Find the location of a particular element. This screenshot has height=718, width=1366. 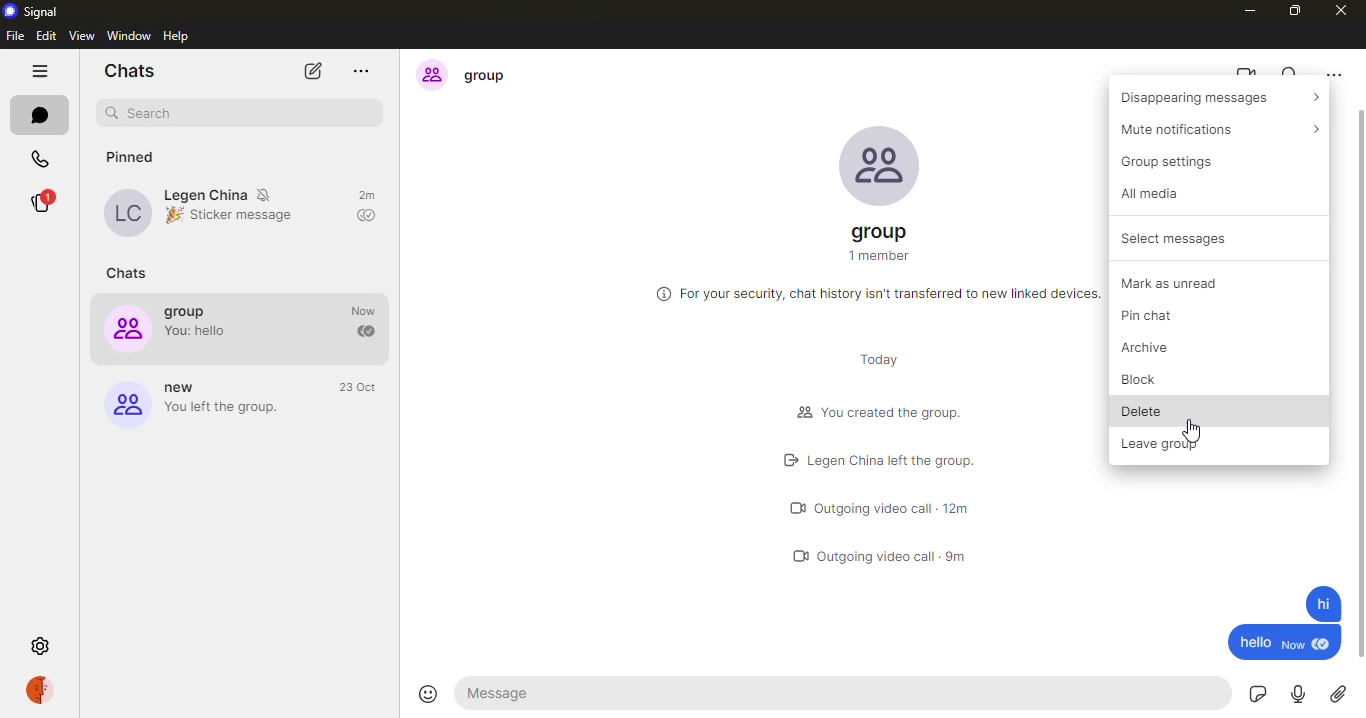

attach is located at coordinates (1337, 695).